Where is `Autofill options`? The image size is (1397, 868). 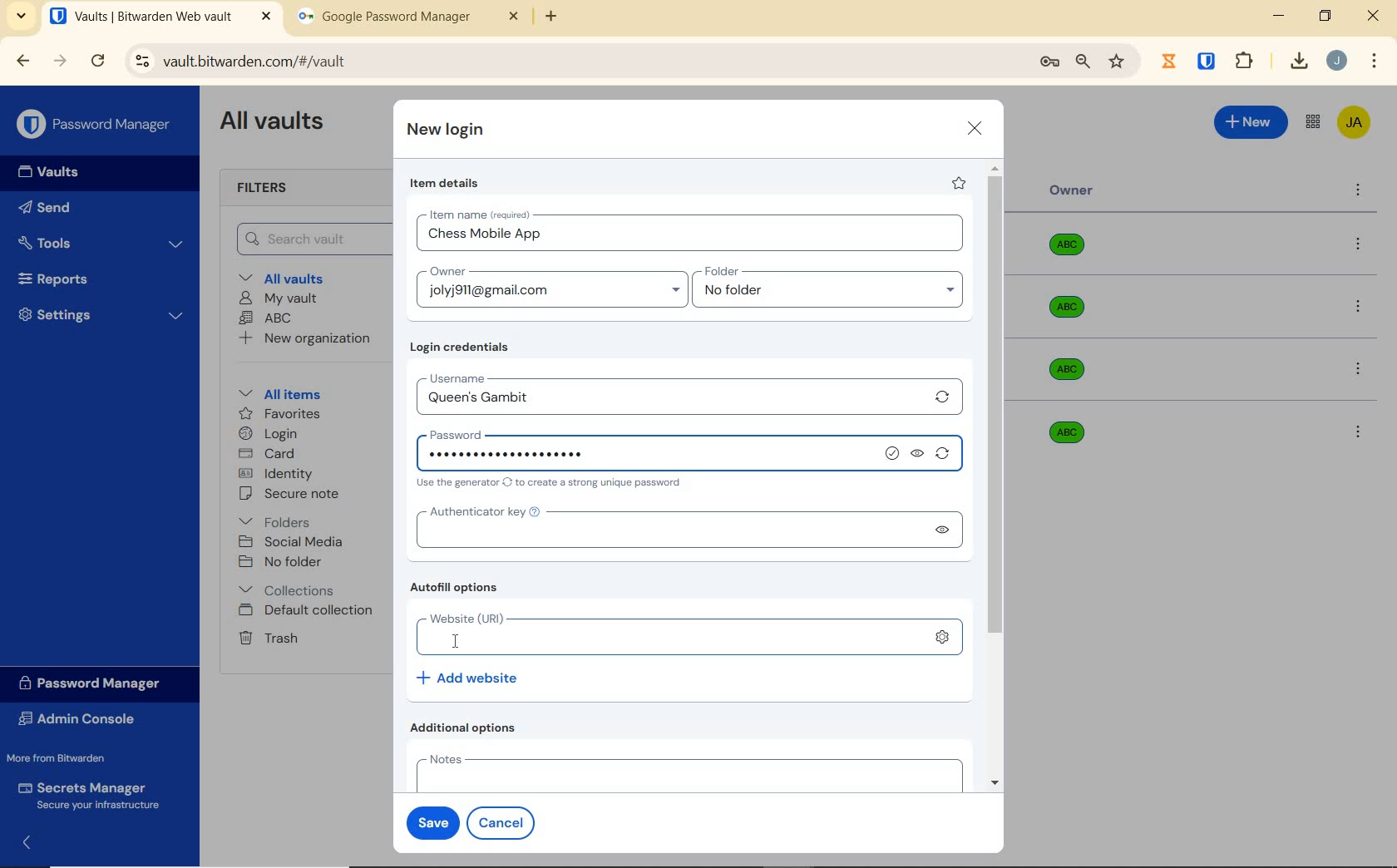 Autofill options is located at coordinates (458, 589).